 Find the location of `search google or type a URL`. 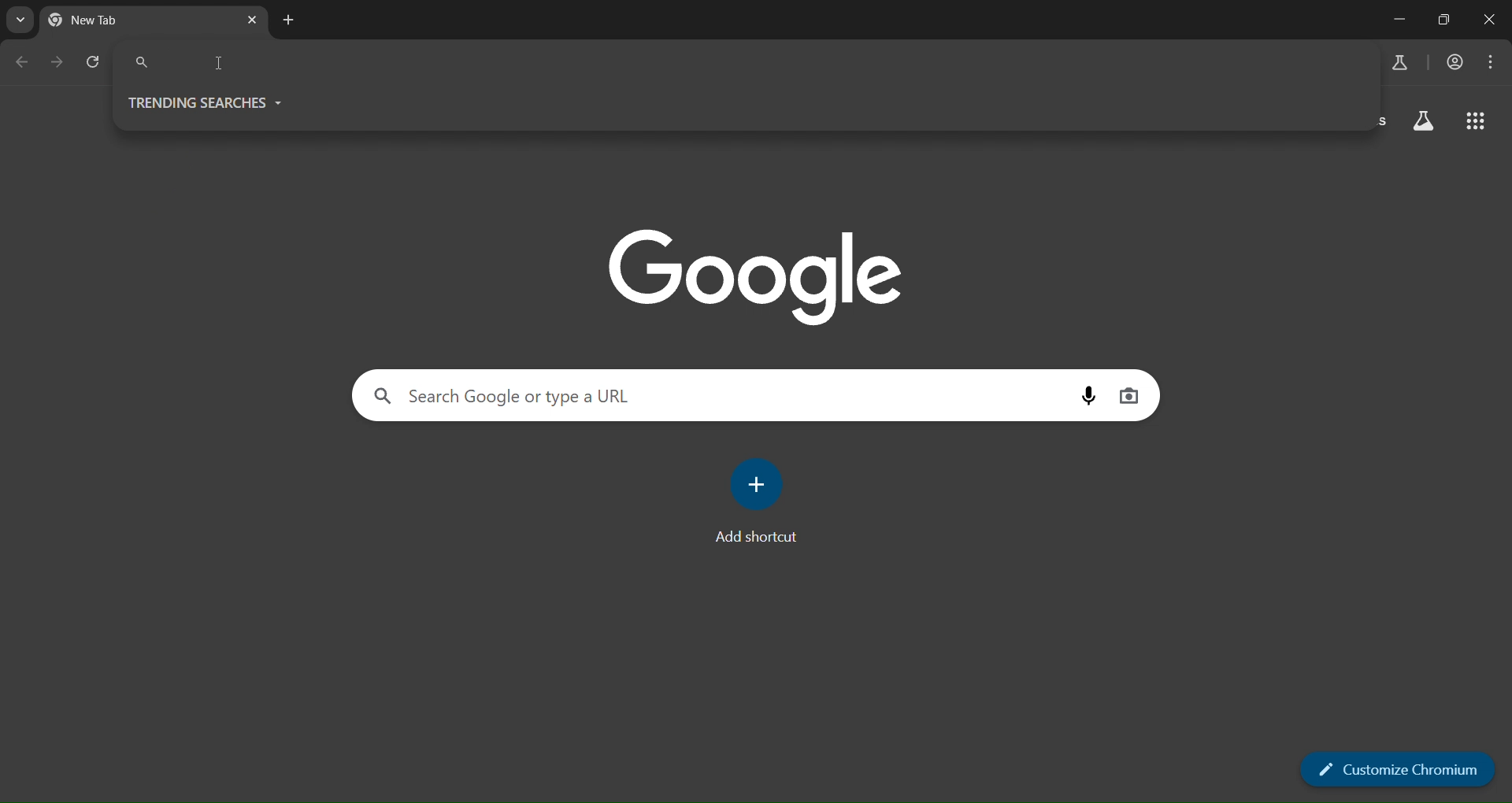

search google or type a URL is located at coordinates (717, 395).